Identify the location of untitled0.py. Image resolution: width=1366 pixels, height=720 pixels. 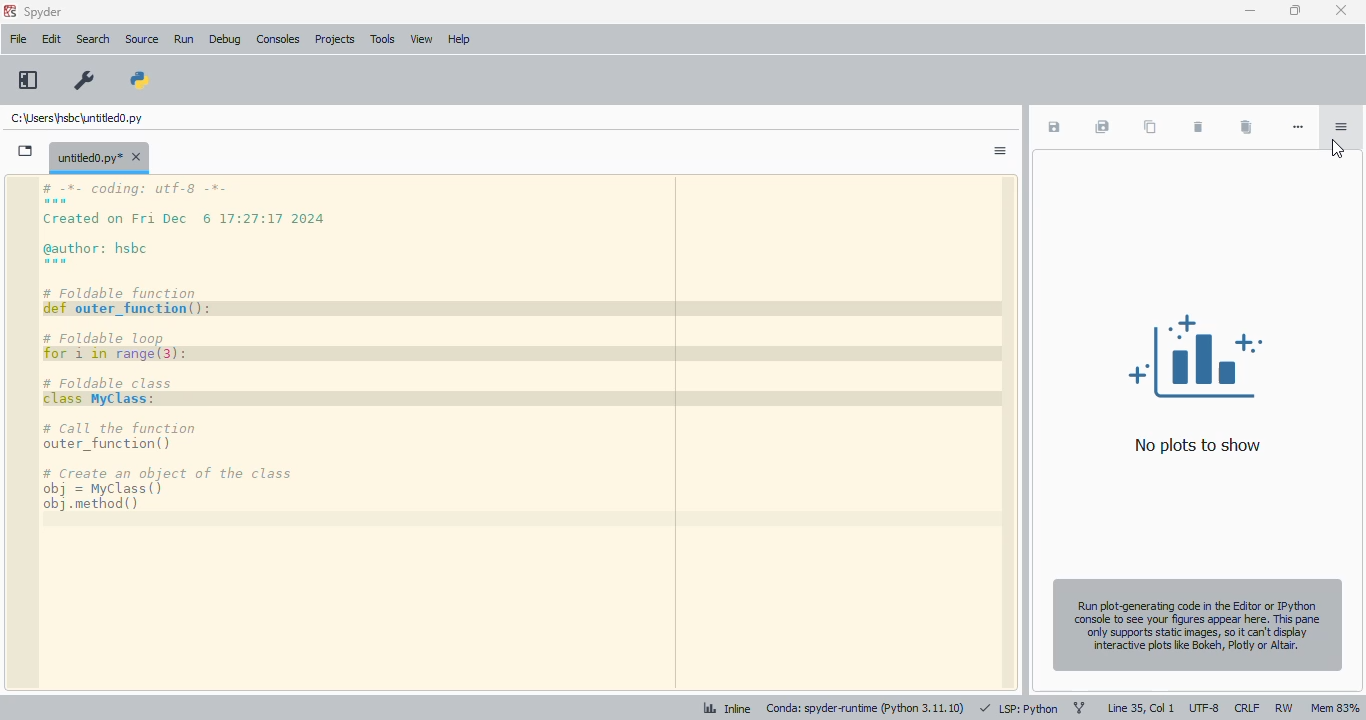
(76, 118).